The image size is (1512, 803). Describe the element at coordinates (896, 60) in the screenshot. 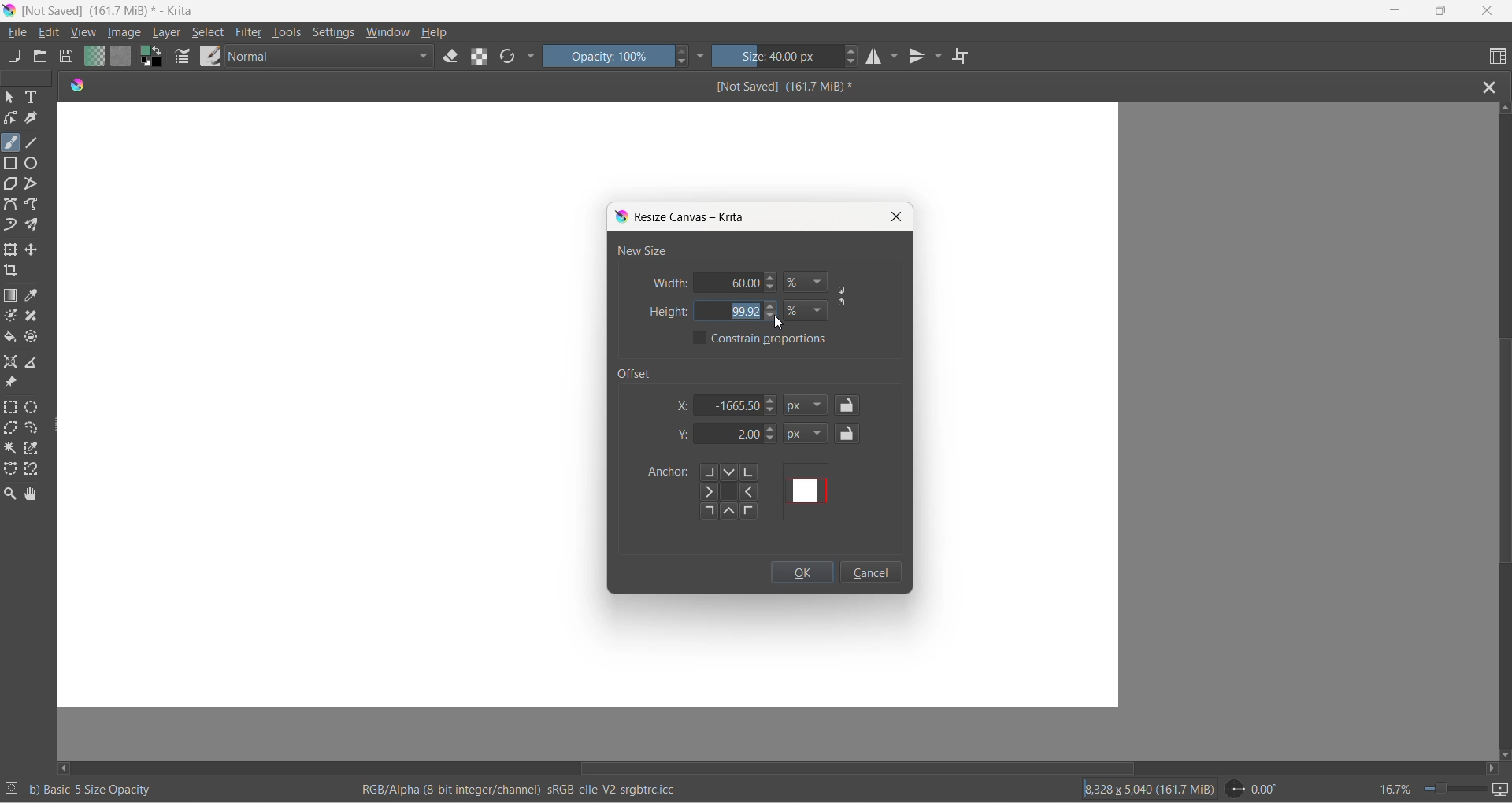

I see `horizontal mirror tool settings dropdown button` at that location.